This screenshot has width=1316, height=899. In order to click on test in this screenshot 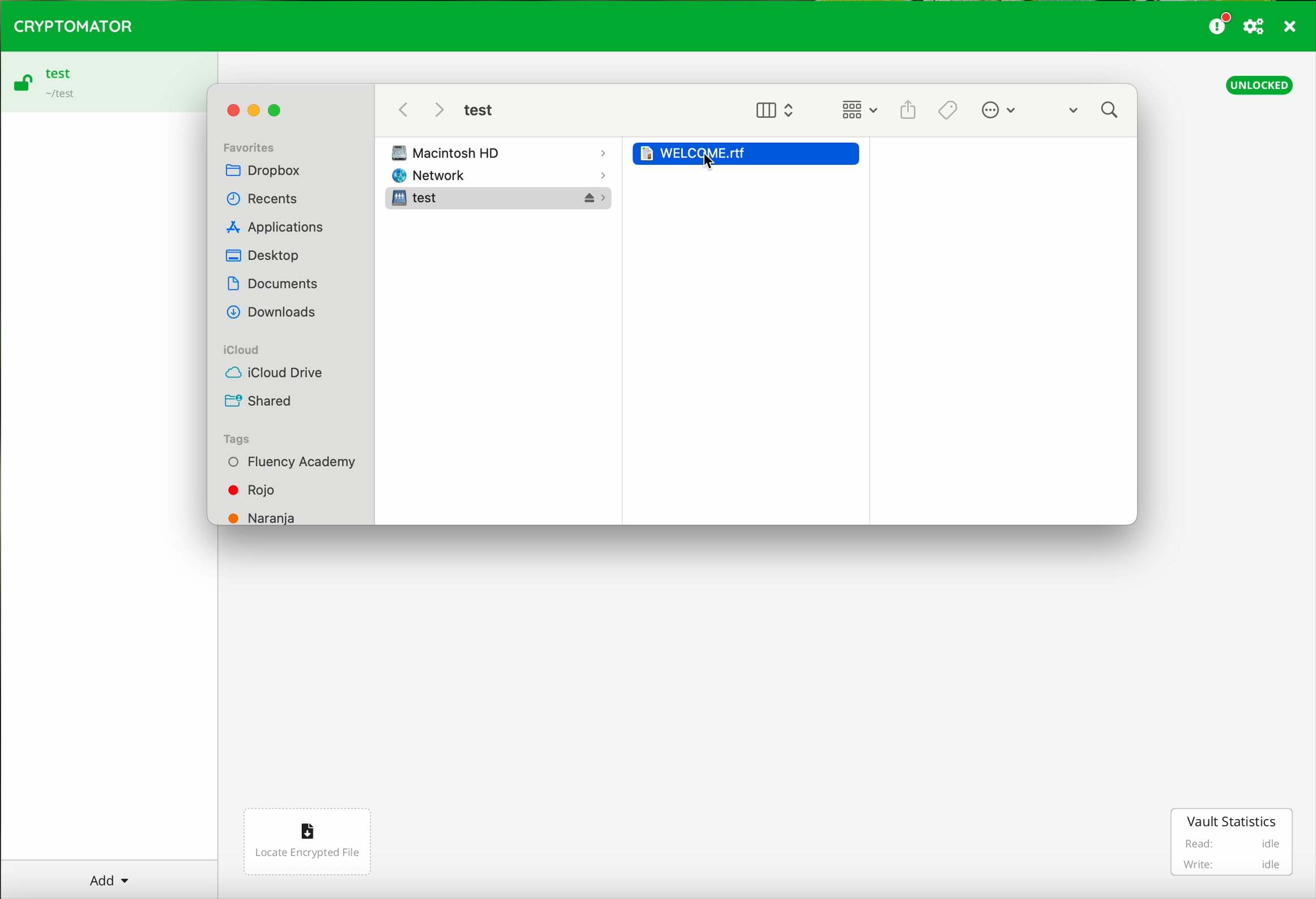, I will do `click(502, 199)`.